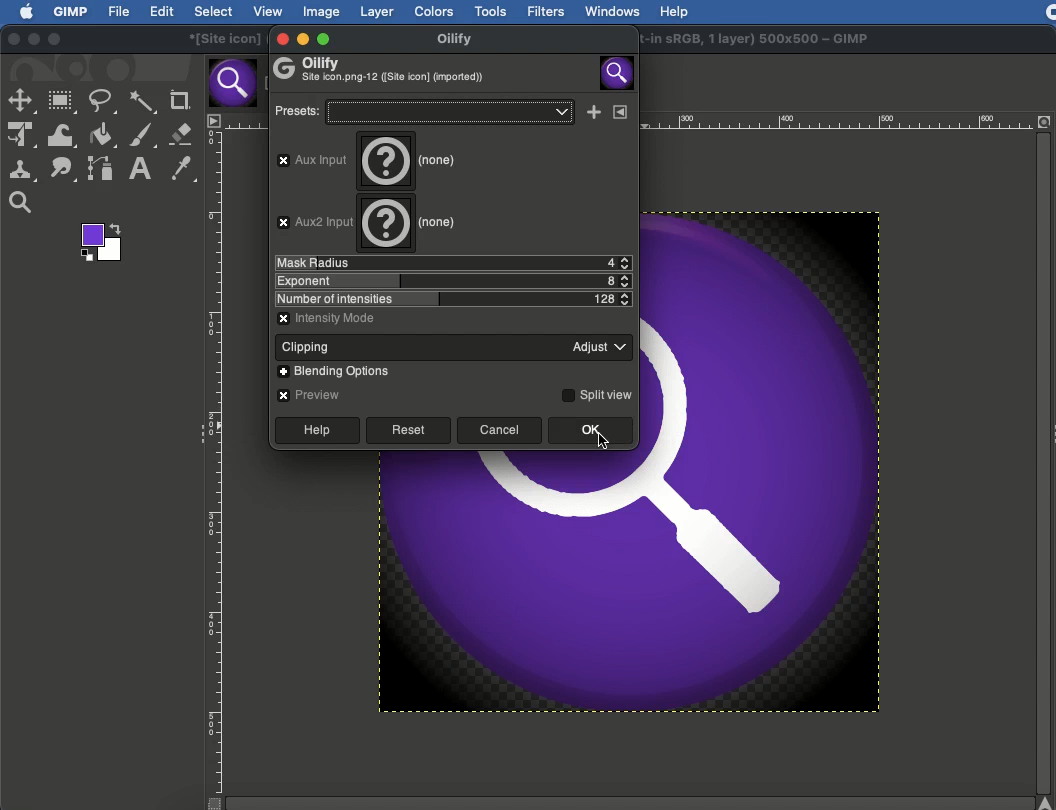 The height and width of the screenshot is (810, 1056). Describe the element at coordinates (849, 119) in the screenshot. I see `Scale` at that location.